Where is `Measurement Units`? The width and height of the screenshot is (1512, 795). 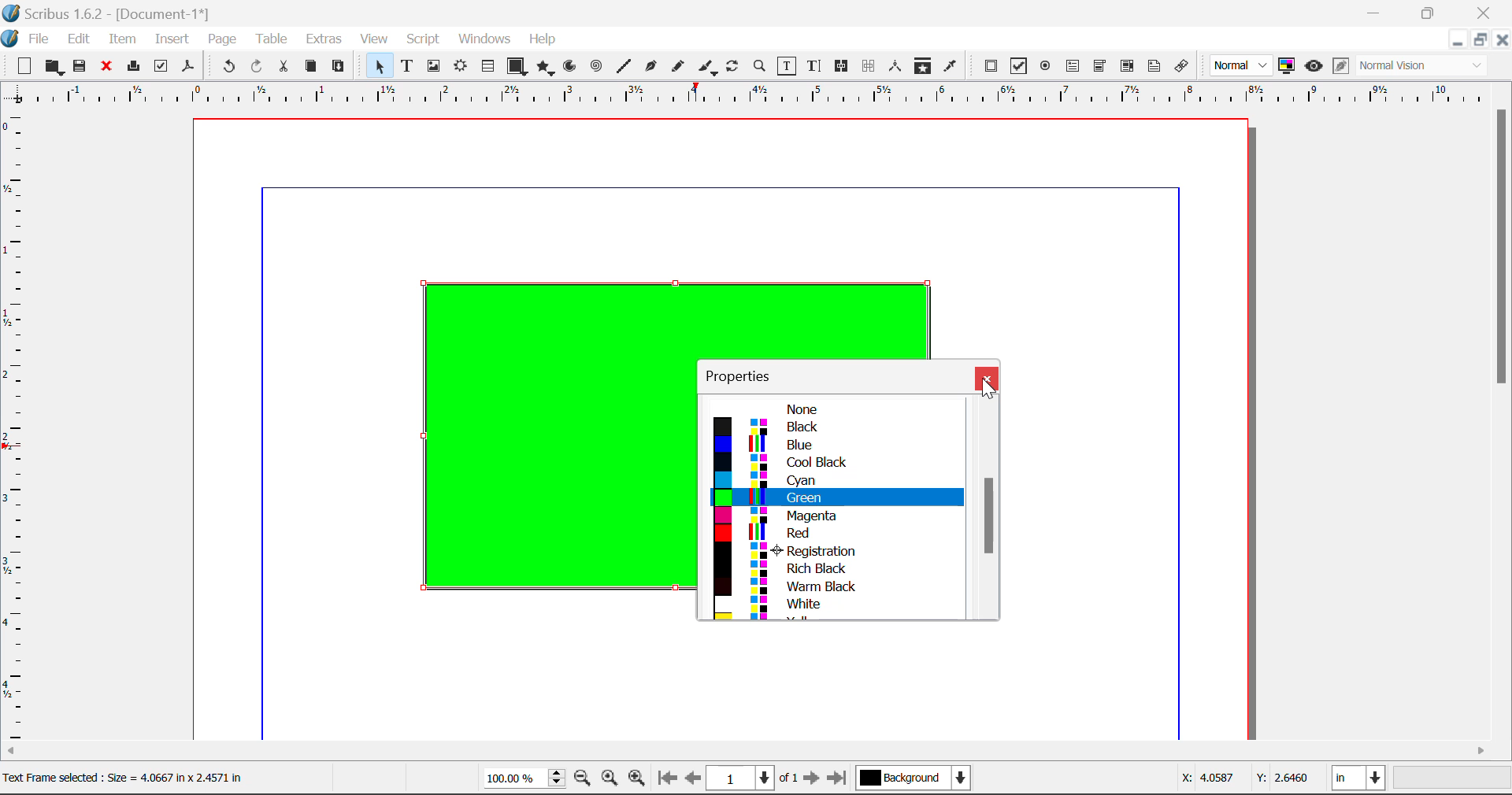 Measurement Units is located at coordinates (1360, 780).